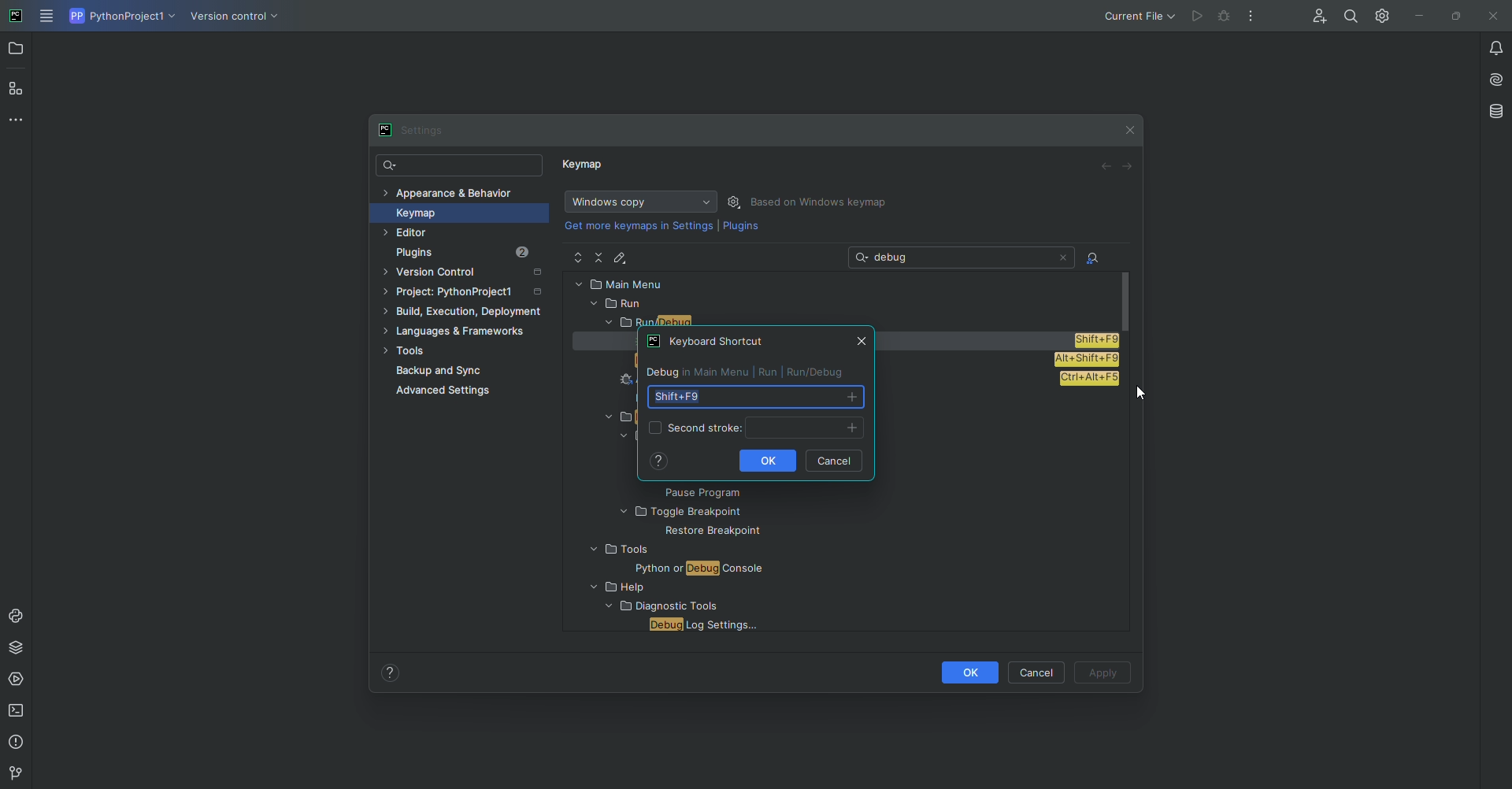 This screenshot has height=789, width=1512. What do you see at coordinates (1491, 78) in the screenshot?
I see `AI` at bounding box center [1491, 78].